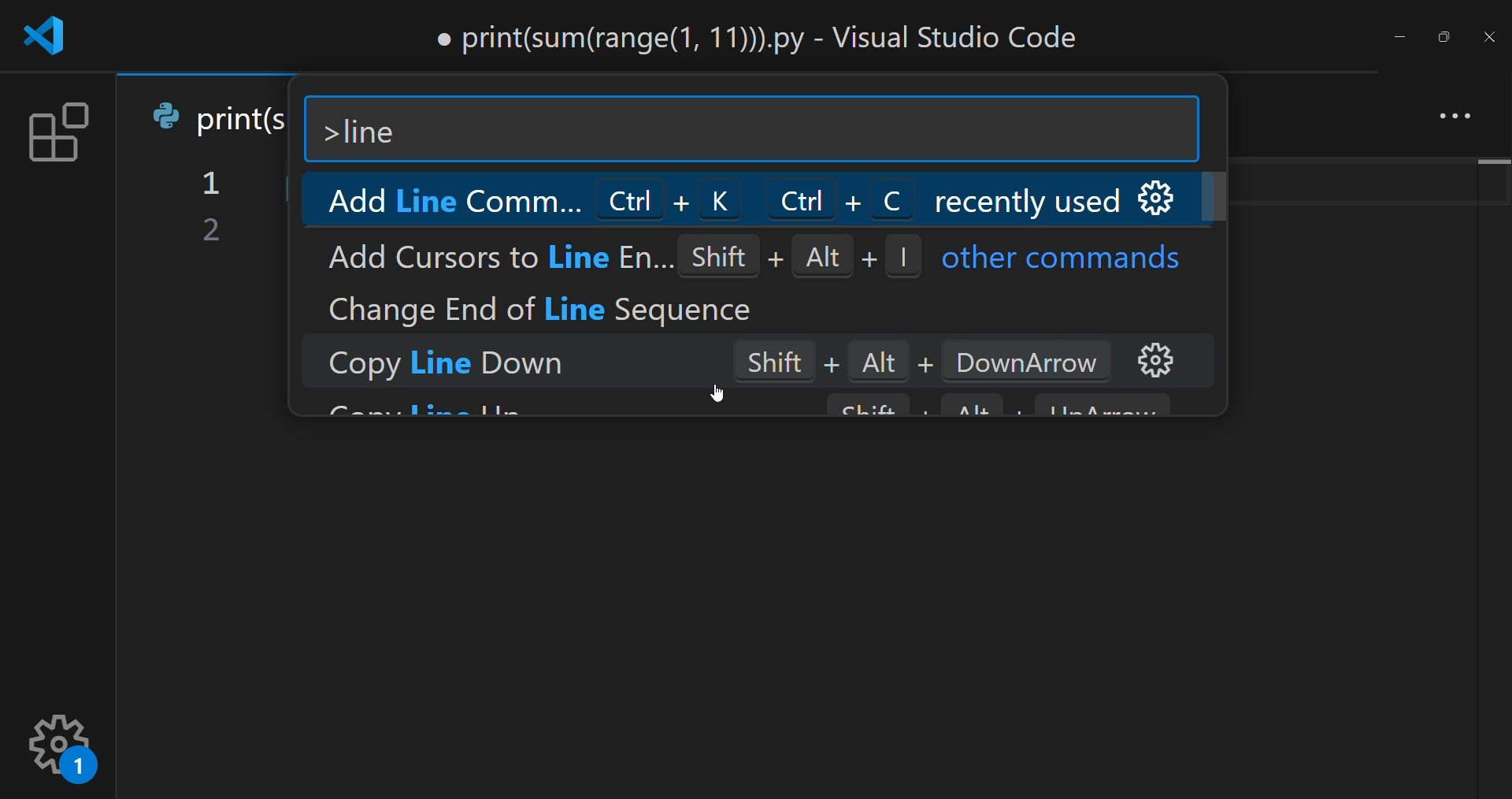 The height and width of the screenshot is (799, 1512). Describe the element at coordinates (1157, 361) in the screenshot. I see `option setting` at that location.